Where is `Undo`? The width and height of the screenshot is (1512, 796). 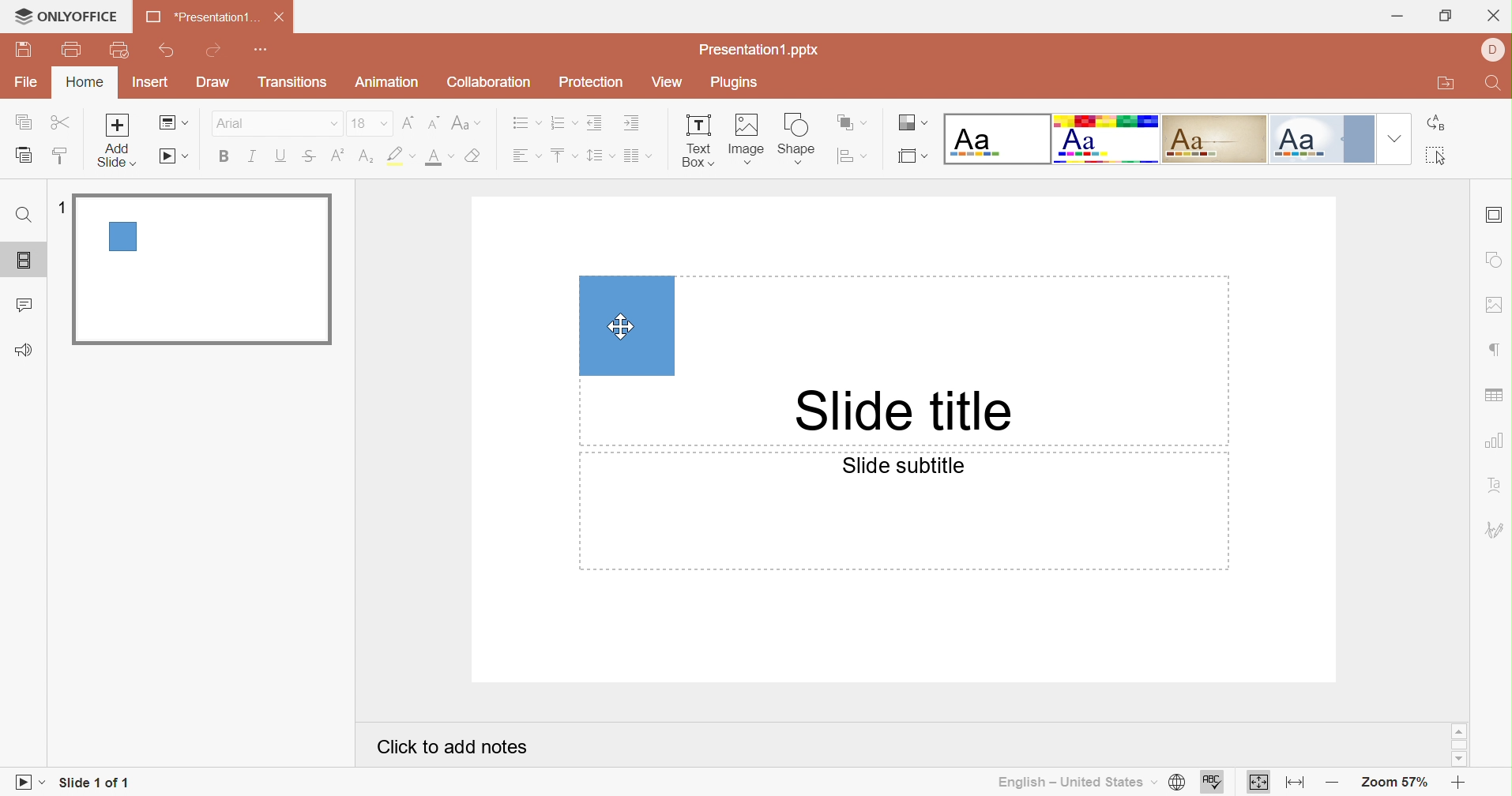 Undo is located at coordinates (168, 51).